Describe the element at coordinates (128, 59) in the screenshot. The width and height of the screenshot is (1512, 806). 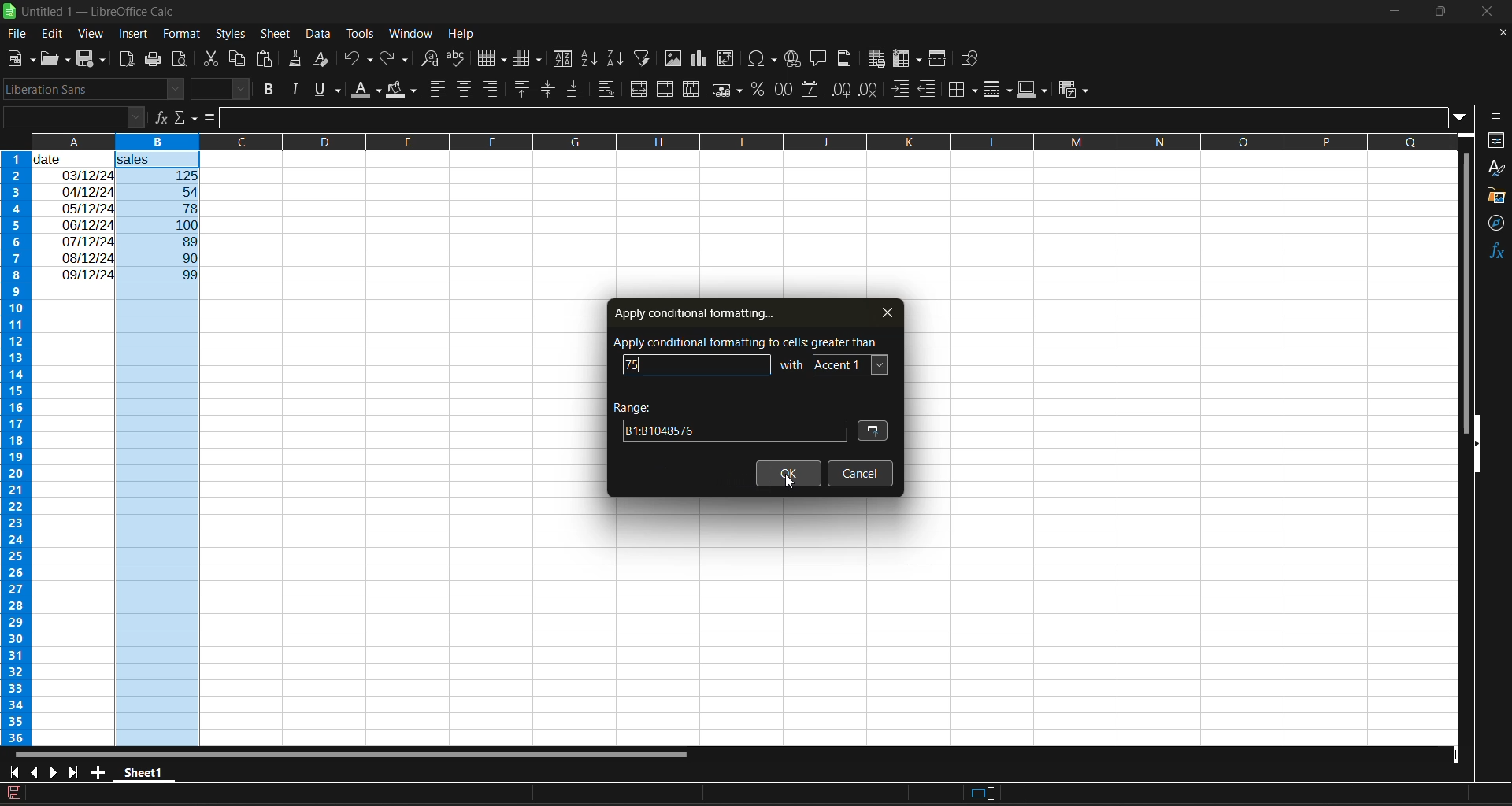
I see `export directly as pdf` at that location.